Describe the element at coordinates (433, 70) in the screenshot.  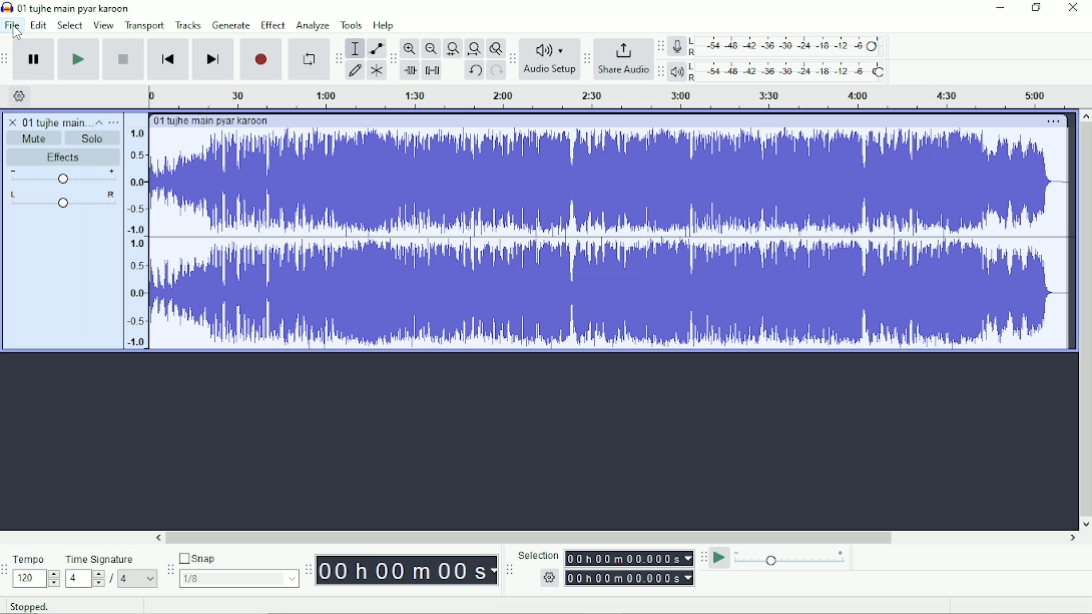
I see `Silence audio selection` at that location.